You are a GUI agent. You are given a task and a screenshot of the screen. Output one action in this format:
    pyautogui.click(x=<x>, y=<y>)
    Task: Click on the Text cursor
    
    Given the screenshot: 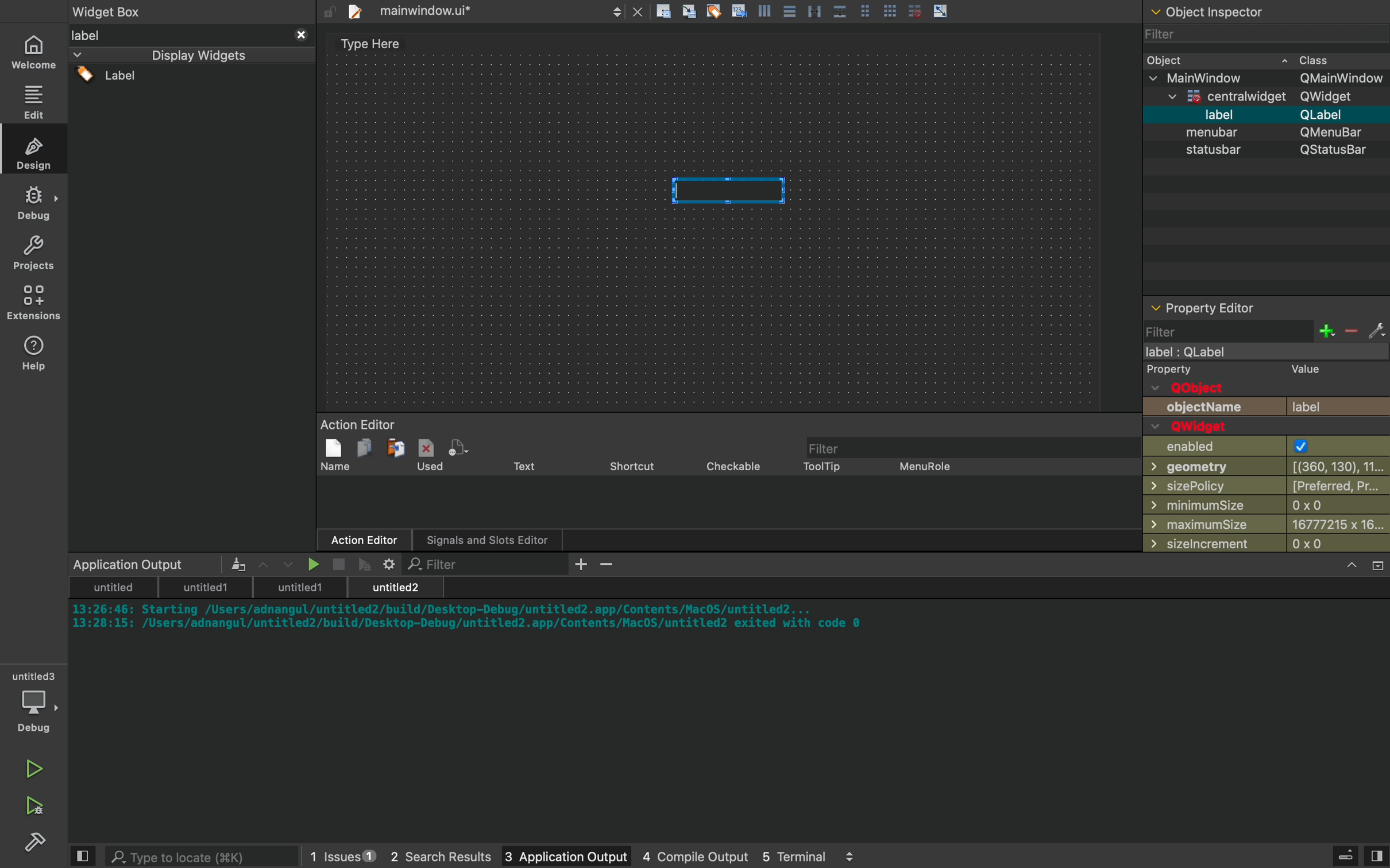 What is the action you would take?
    pyautogui.click(x=731, y=192)
    